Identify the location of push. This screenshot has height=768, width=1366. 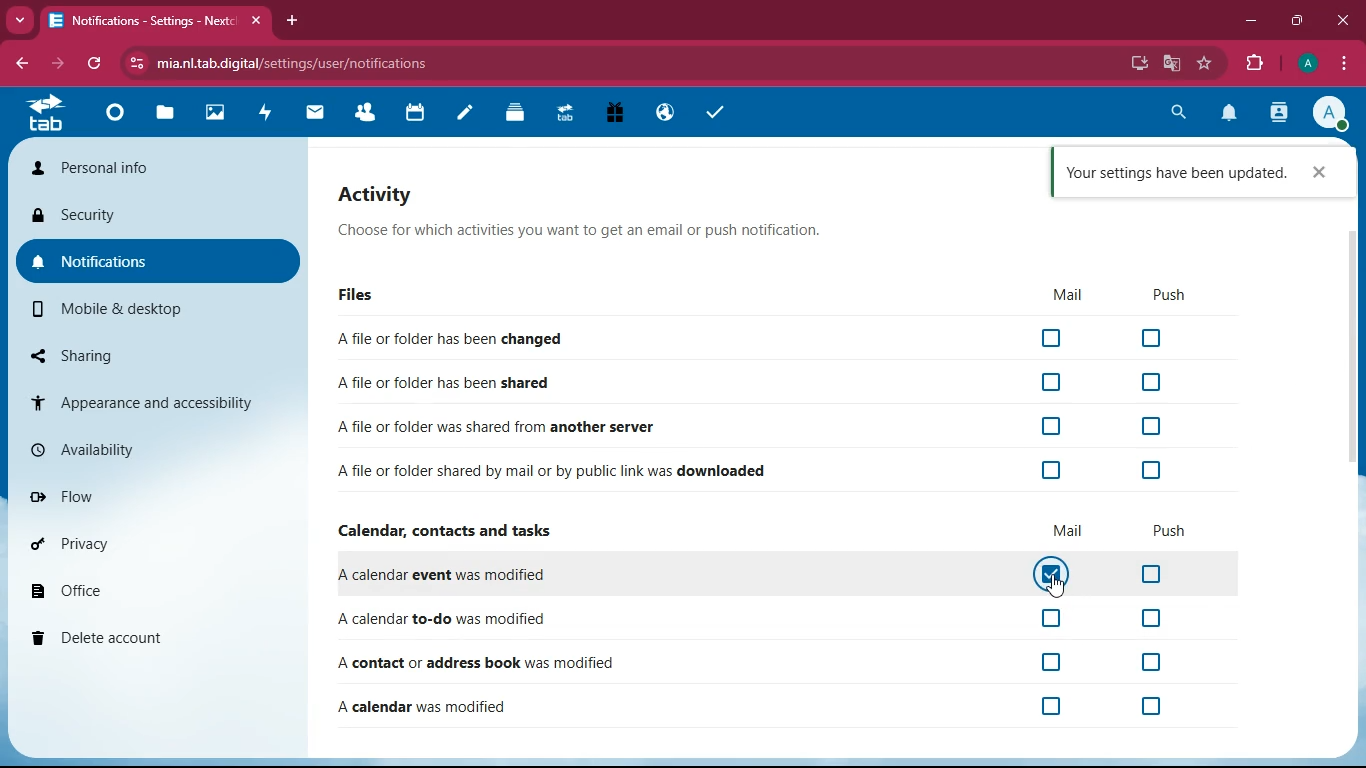
(1172, 532).